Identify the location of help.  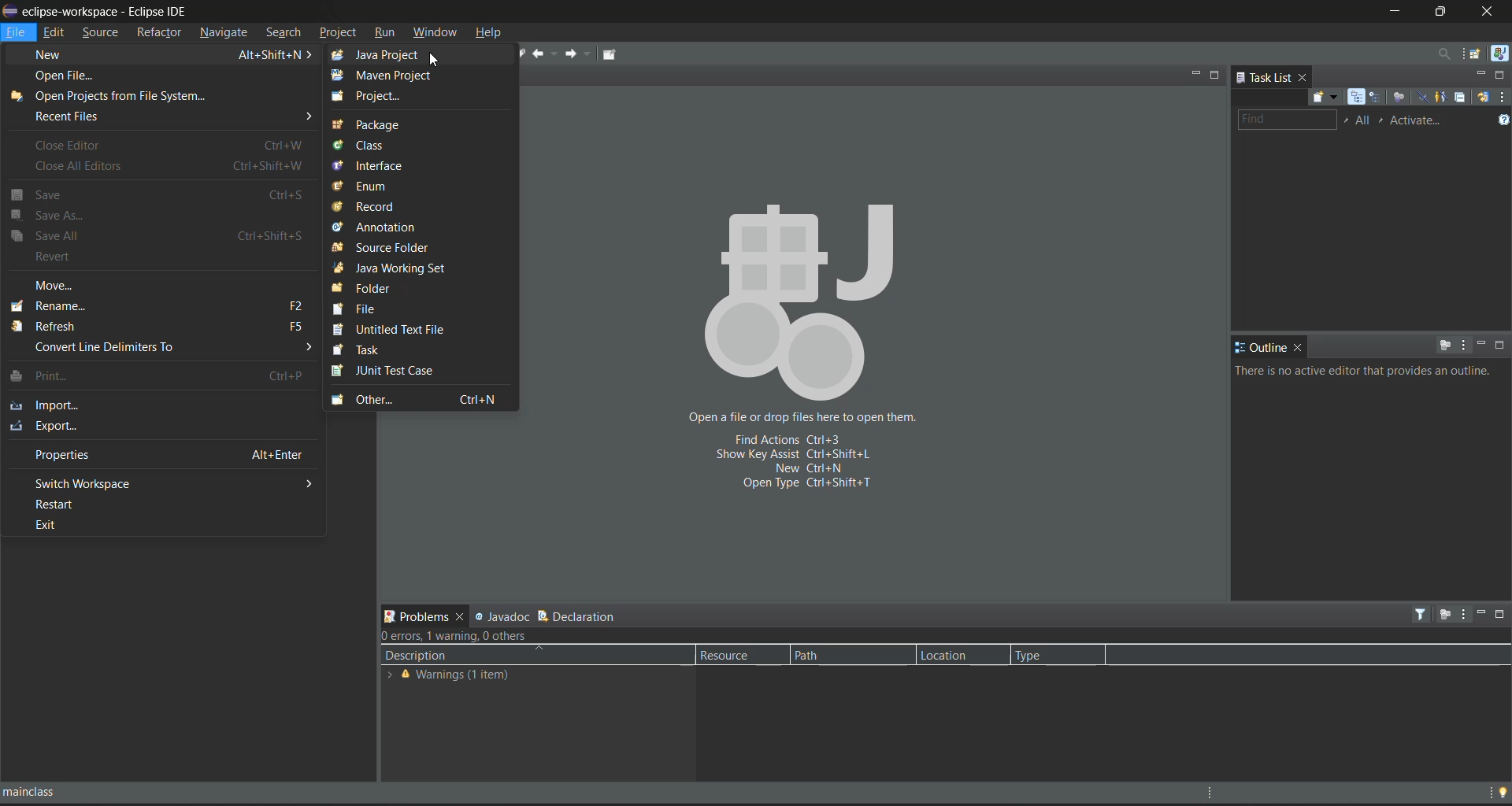
(487, 35).